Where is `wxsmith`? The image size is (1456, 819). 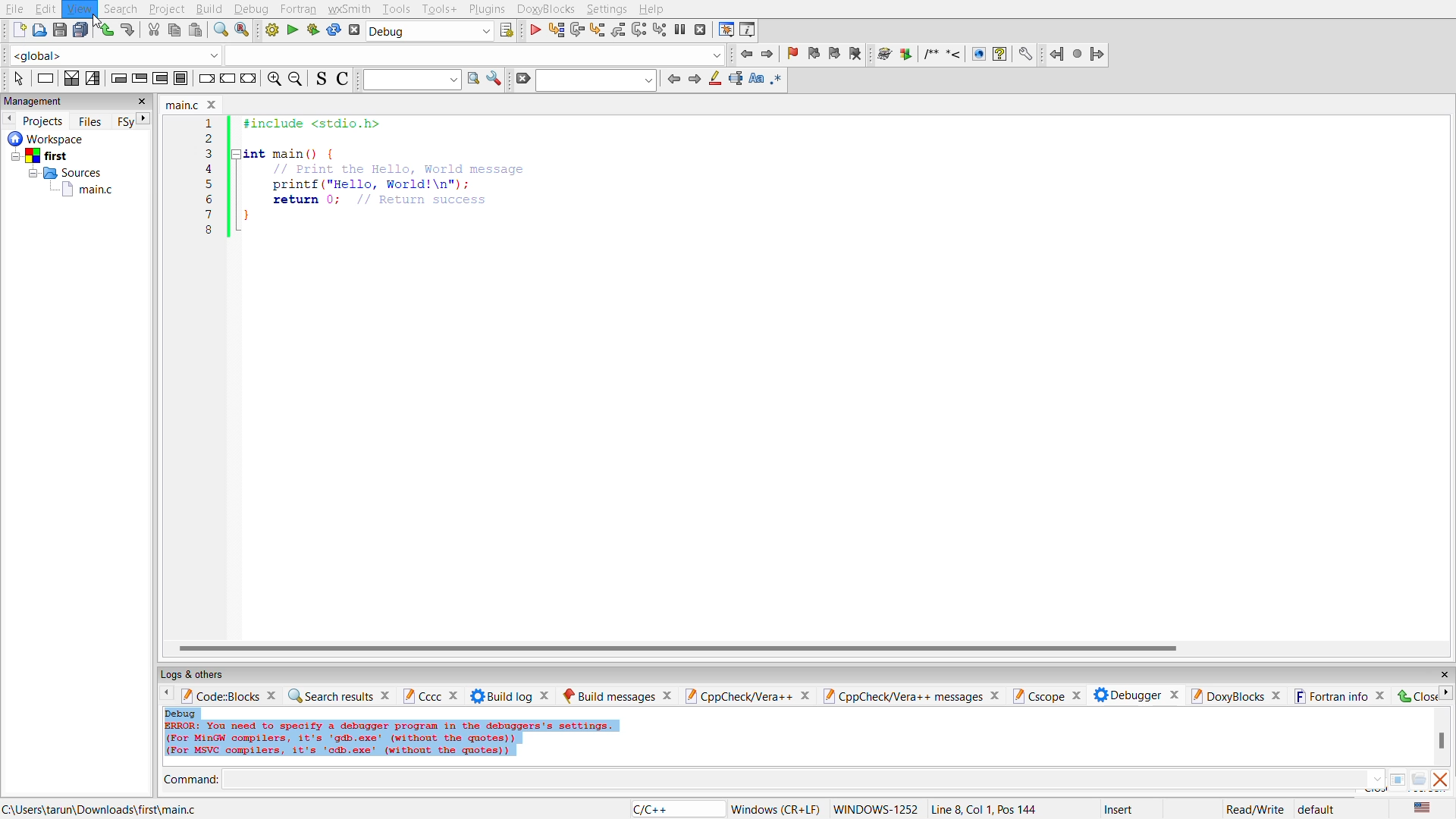 wxsmith is located at coordinates (350, 9).